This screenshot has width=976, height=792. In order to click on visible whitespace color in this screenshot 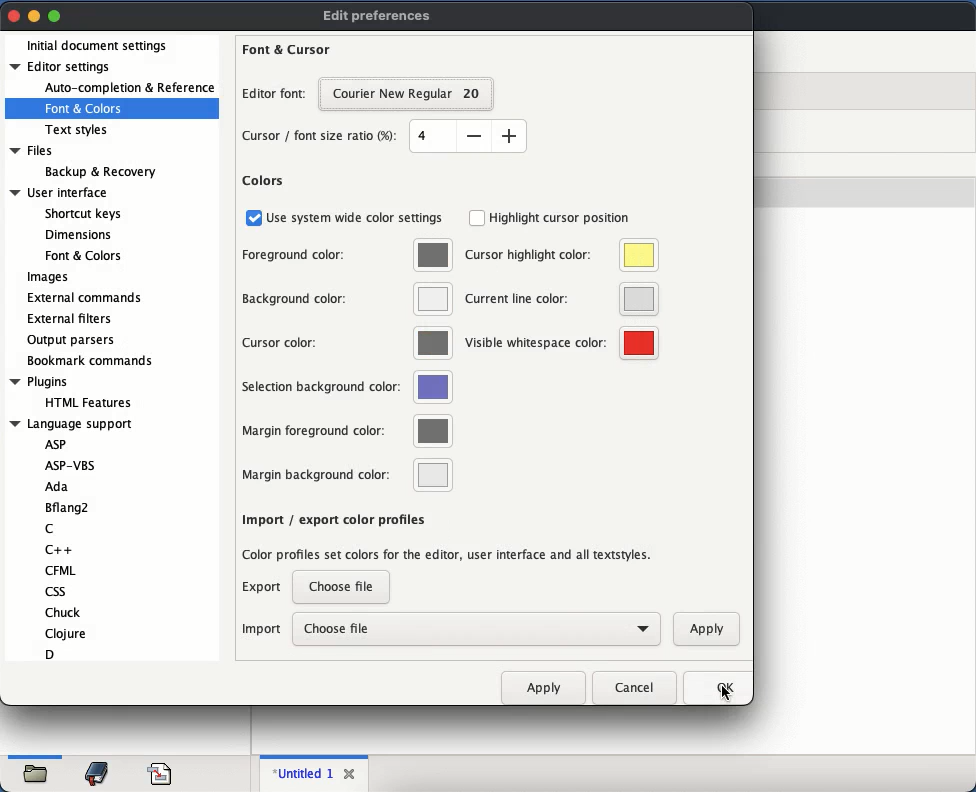, I will do `click(536, 344)`.